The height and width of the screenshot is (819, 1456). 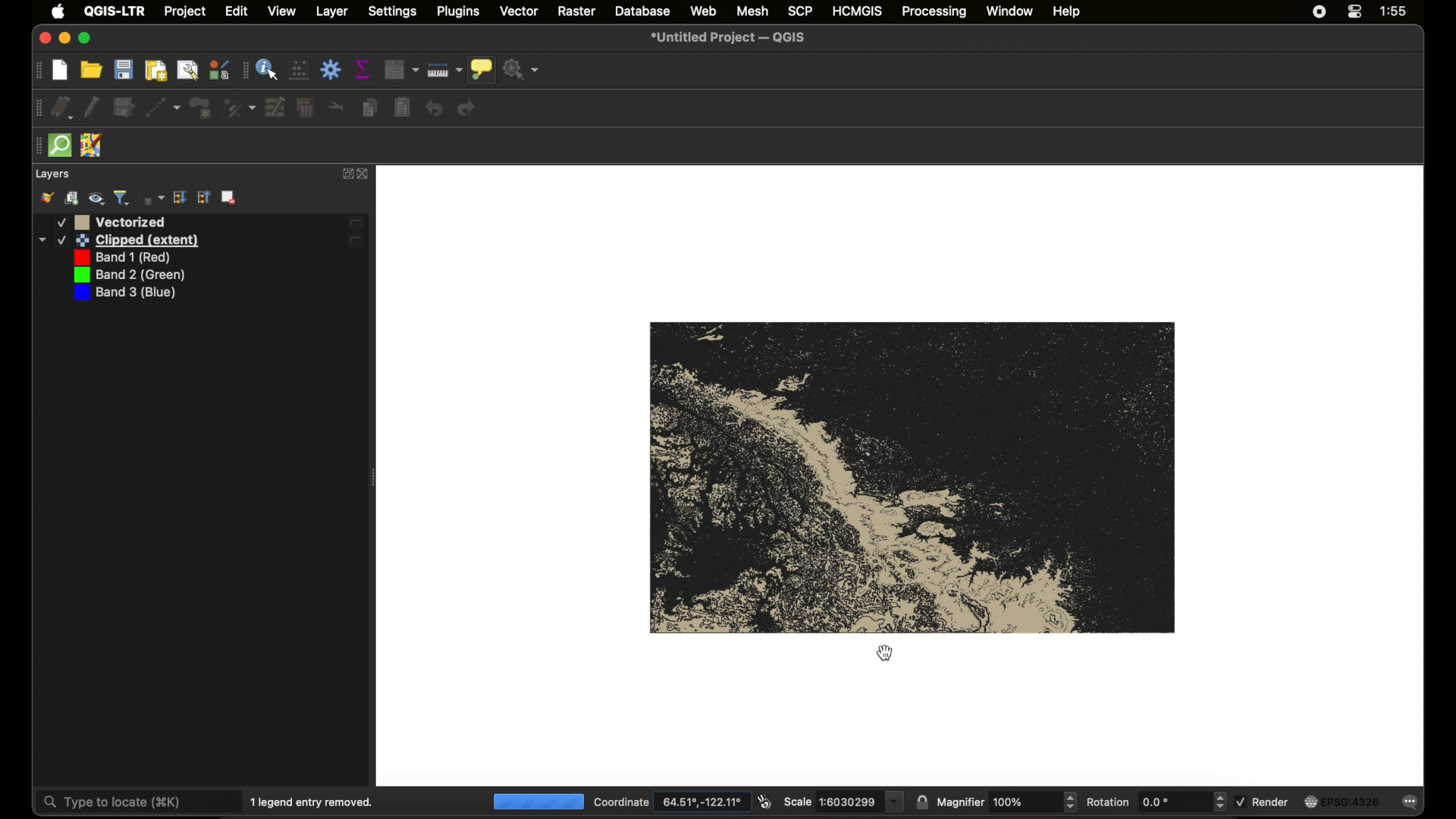 I want to click on view, so click(x=281, y=11).